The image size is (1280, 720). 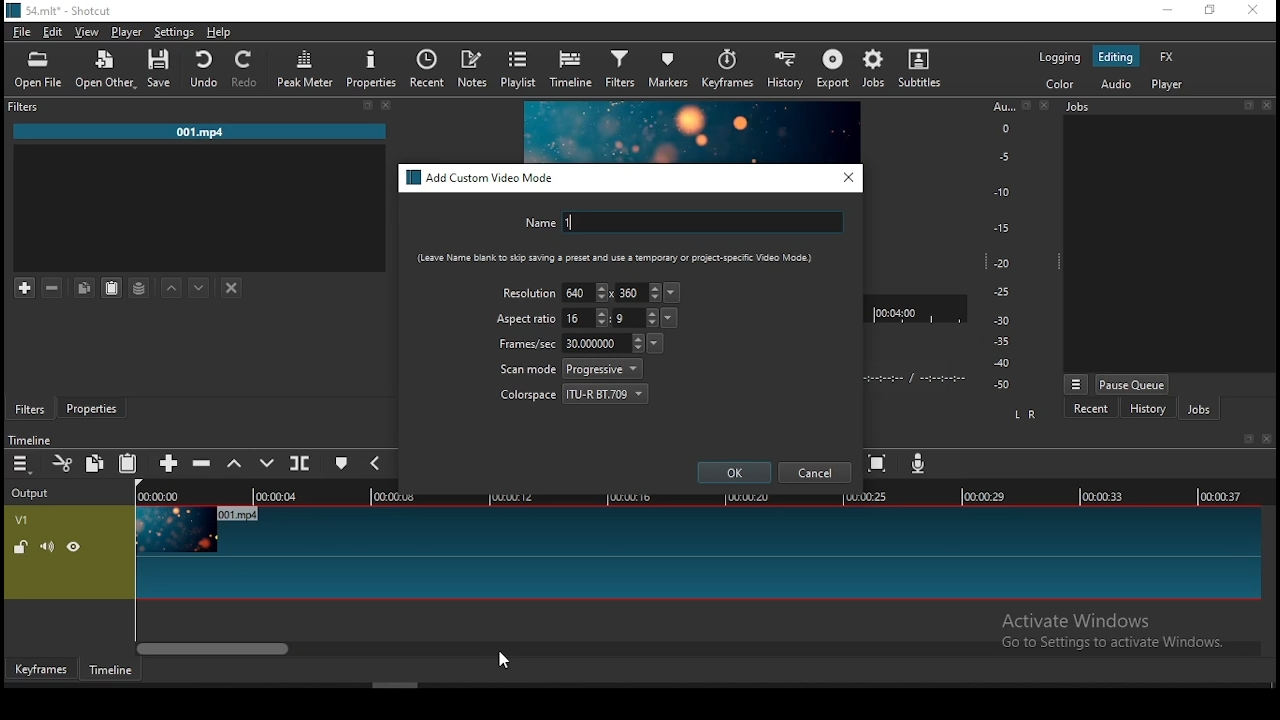 I want to click on lift, so click(x=235, y=464).